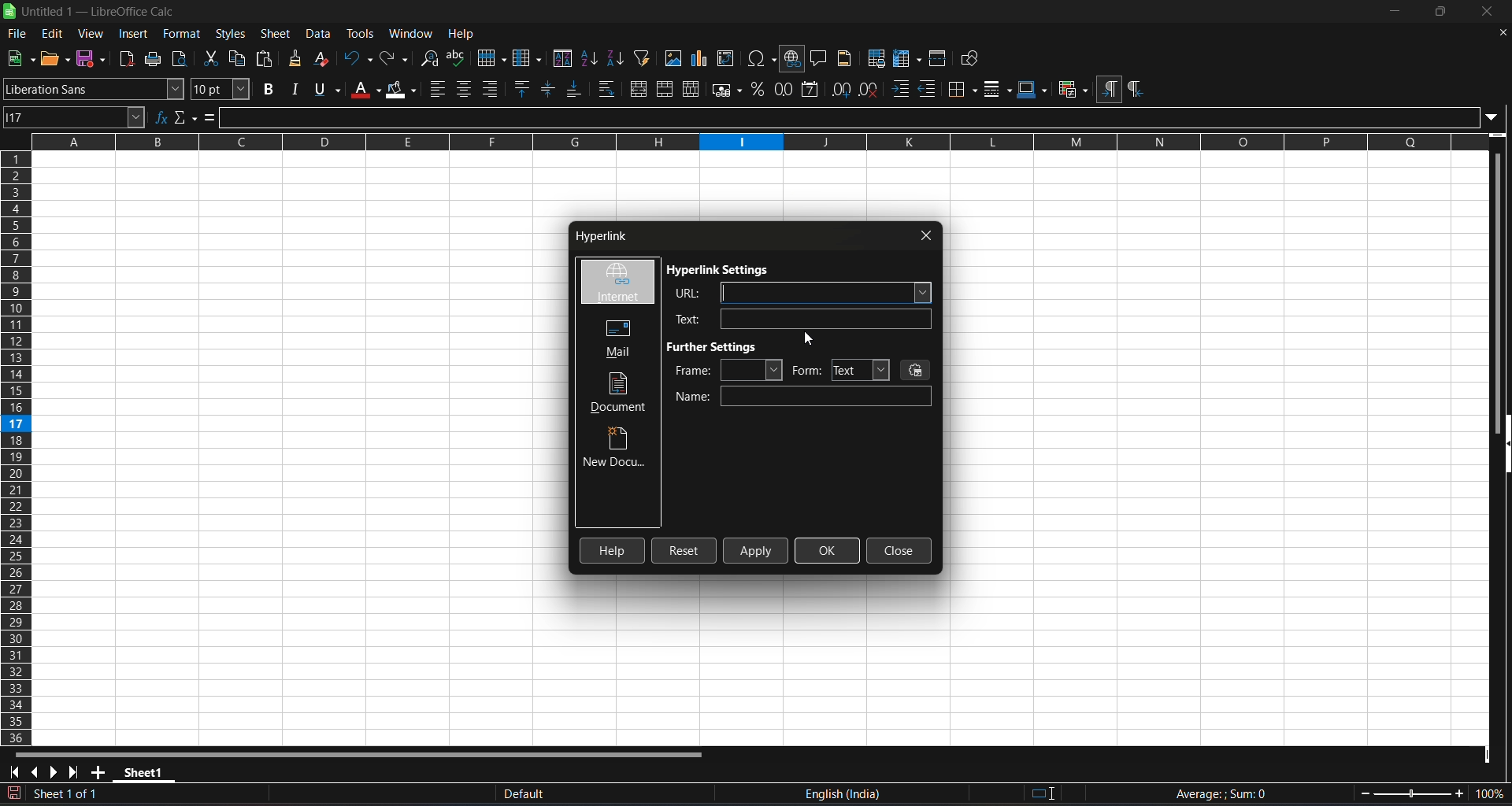  Describe the element at coordinates (870, 90) in the screenshot. I see `remove decimal place` at that location.